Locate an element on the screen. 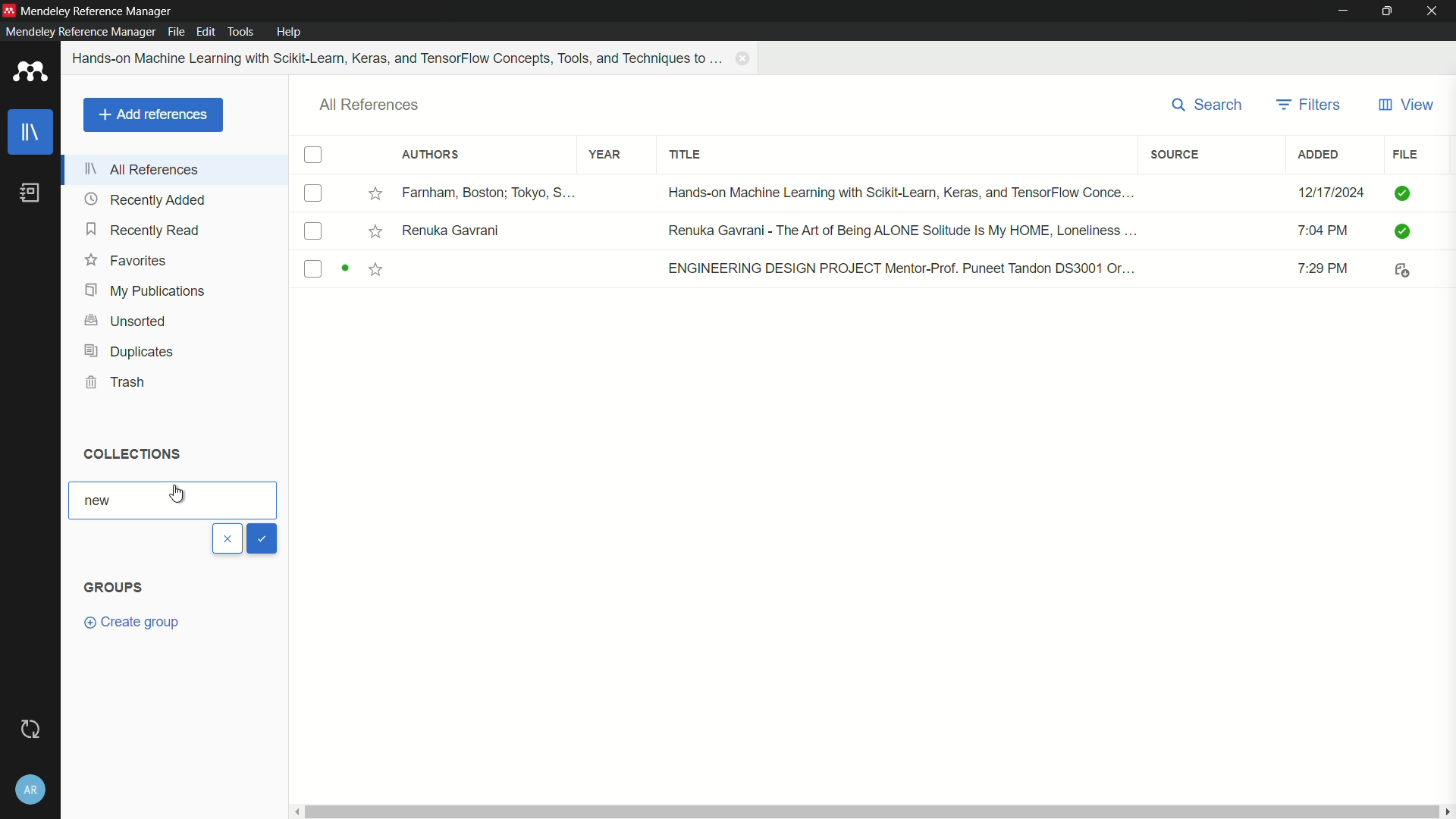  app icon is located at coordinates (30, 74).